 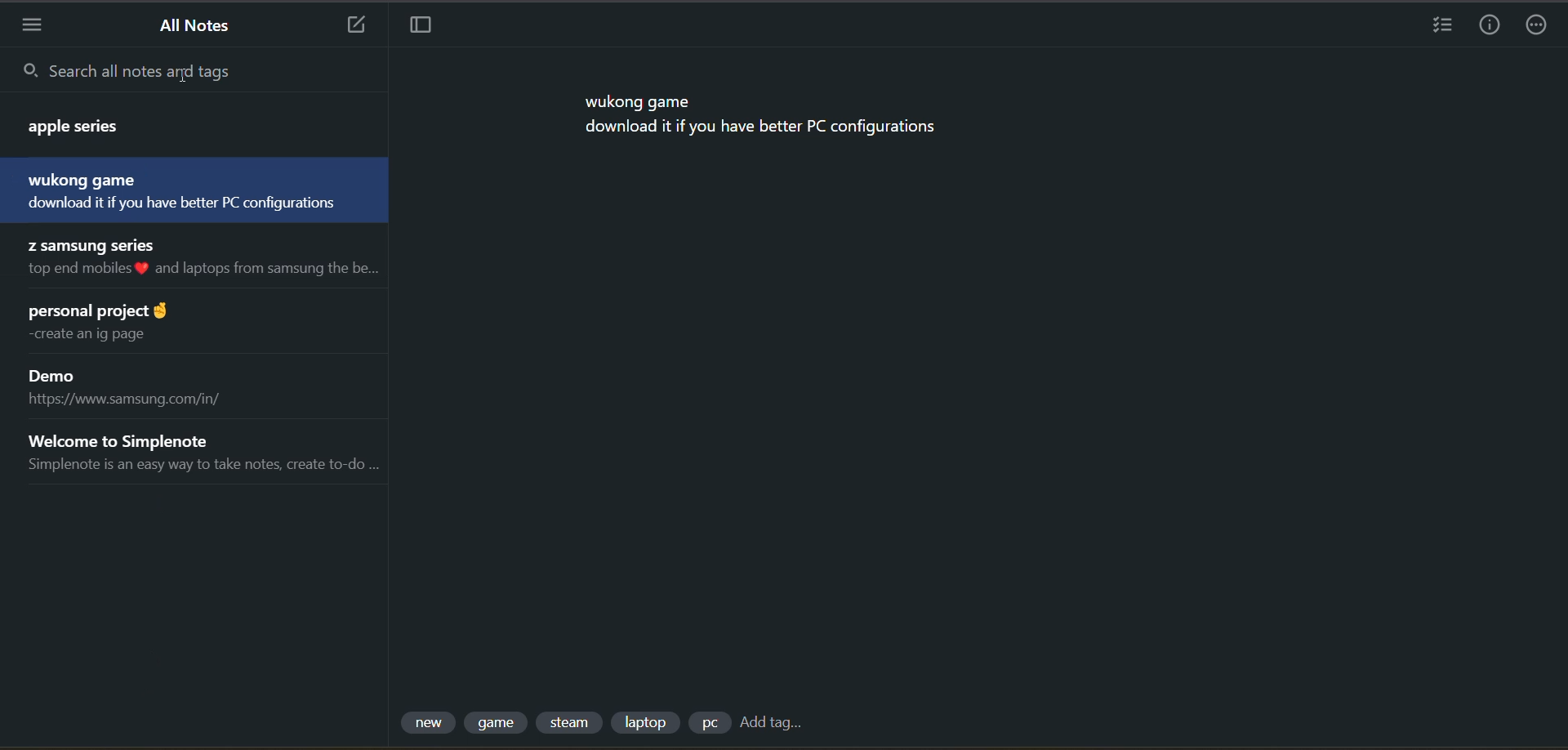 What do you see at coordinates (775, 721) in the screenshot?
I see `add tag` at bounding box center [775, 721].